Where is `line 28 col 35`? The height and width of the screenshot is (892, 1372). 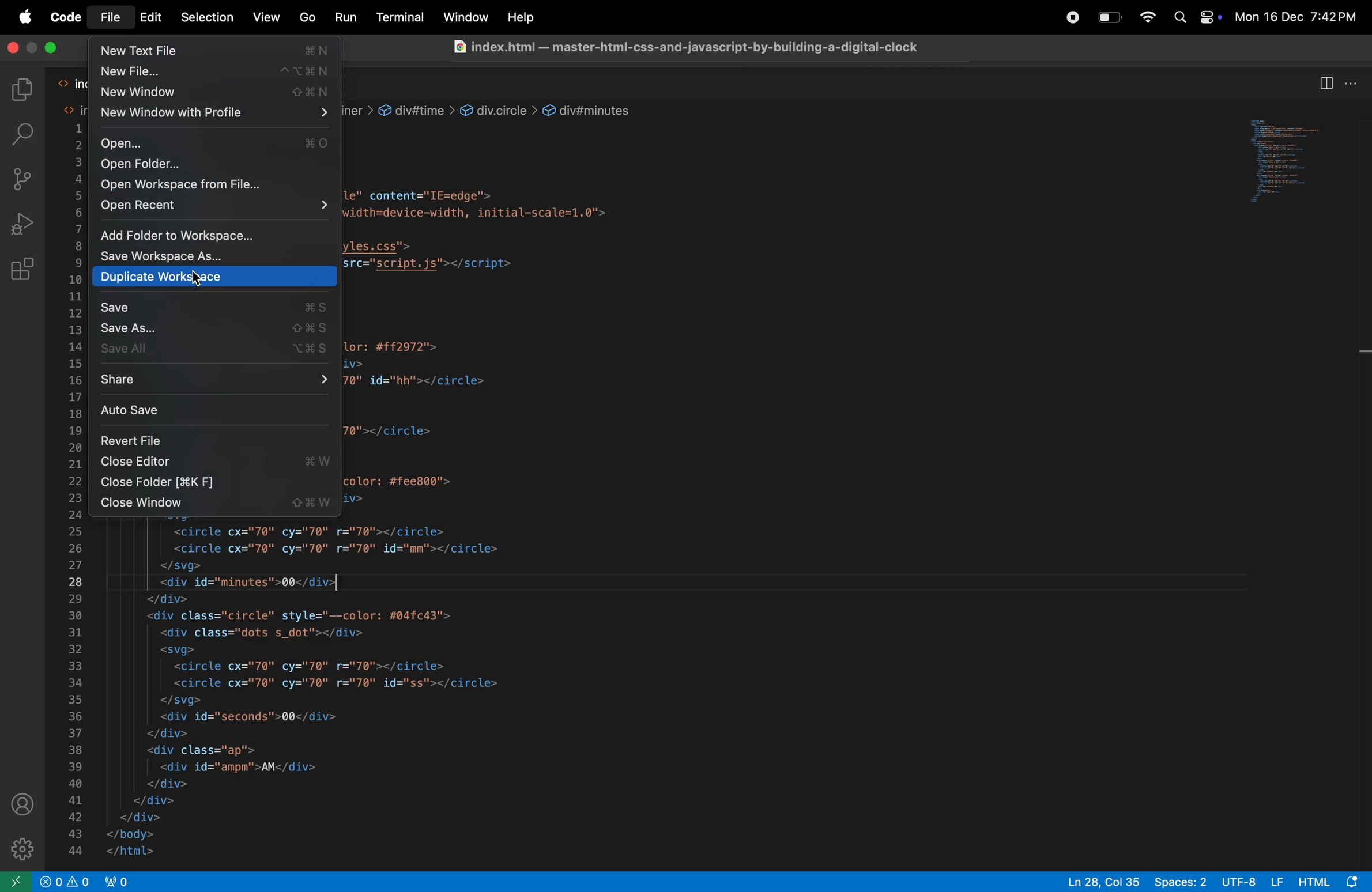 line 28 col 35 is located at coordinates (1099, 881).